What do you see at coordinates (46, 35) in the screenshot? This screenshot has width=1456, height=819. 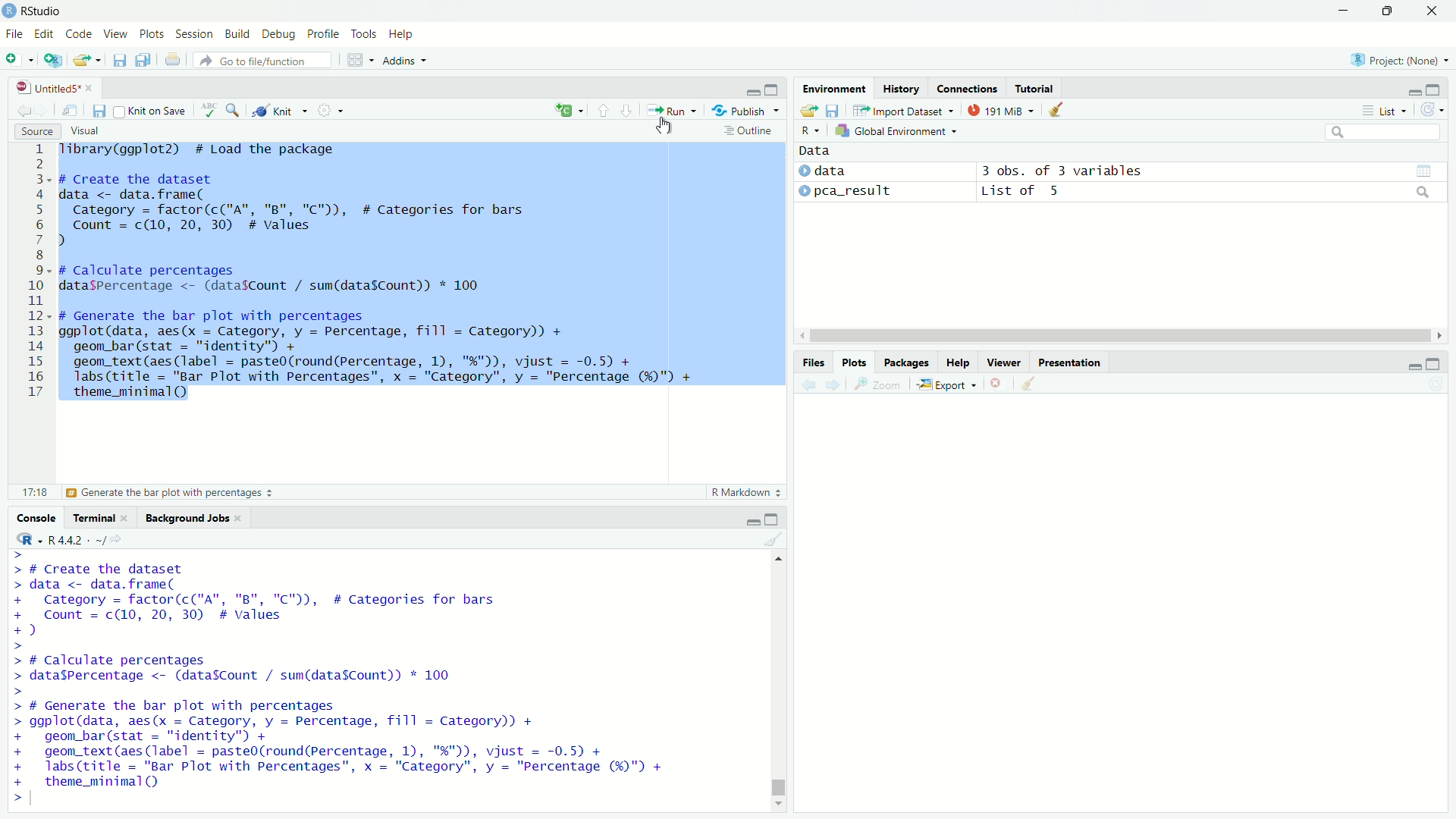 I see `Edit` at bounding box center [46, 35].